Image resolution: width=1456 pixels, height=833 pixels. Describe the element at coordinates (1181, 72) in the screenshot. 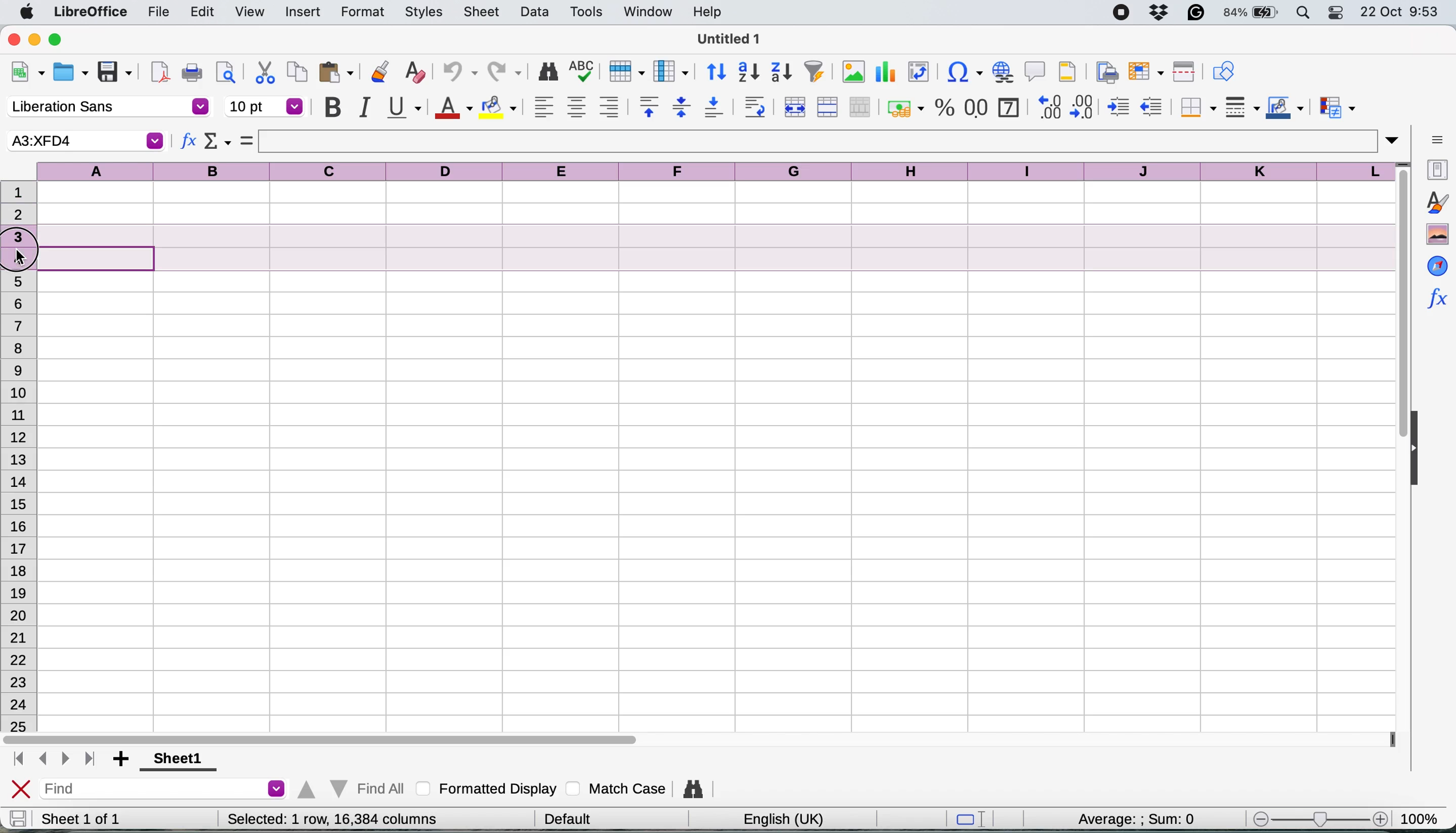

I see `split window` at that location.